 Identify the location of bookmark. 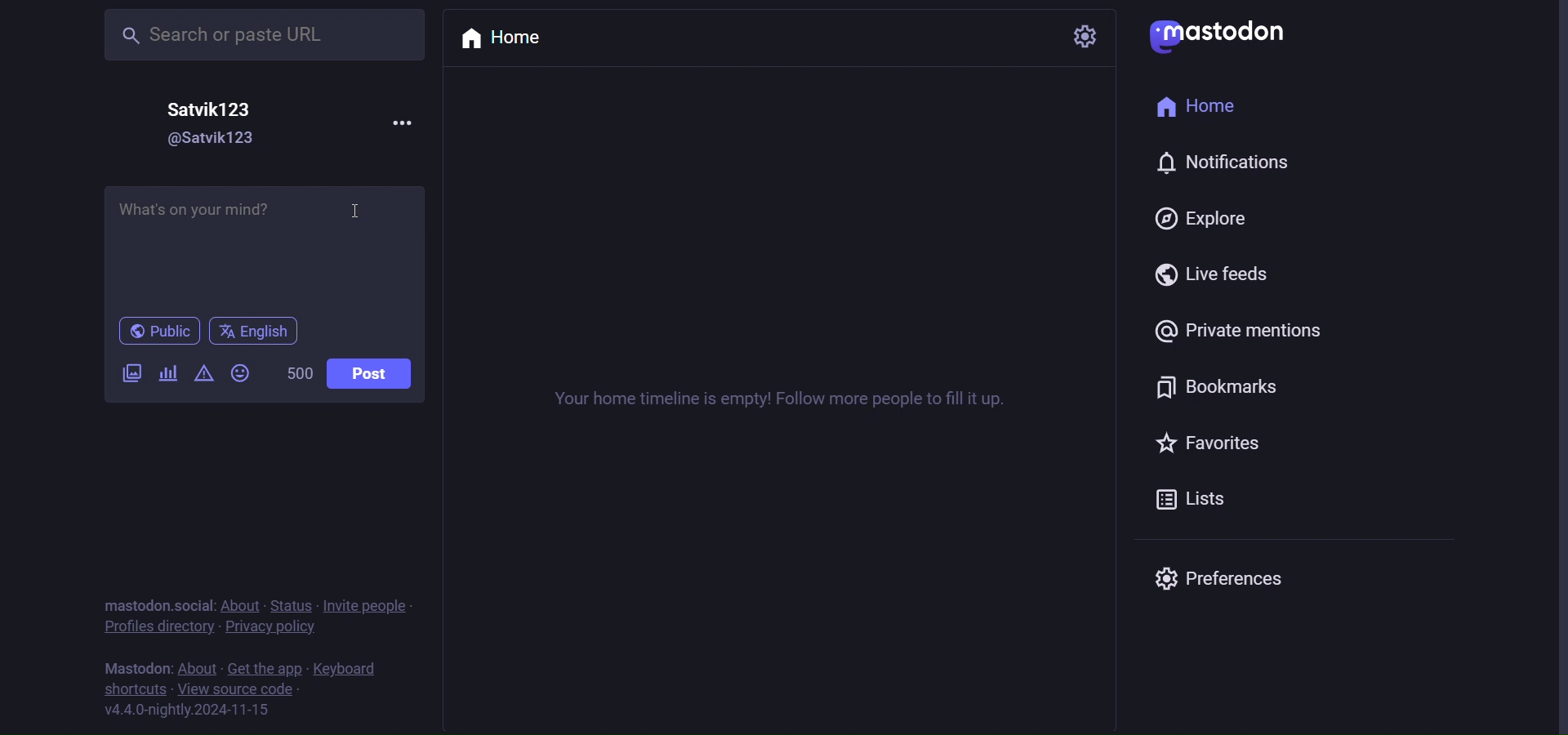
(1214, 385).